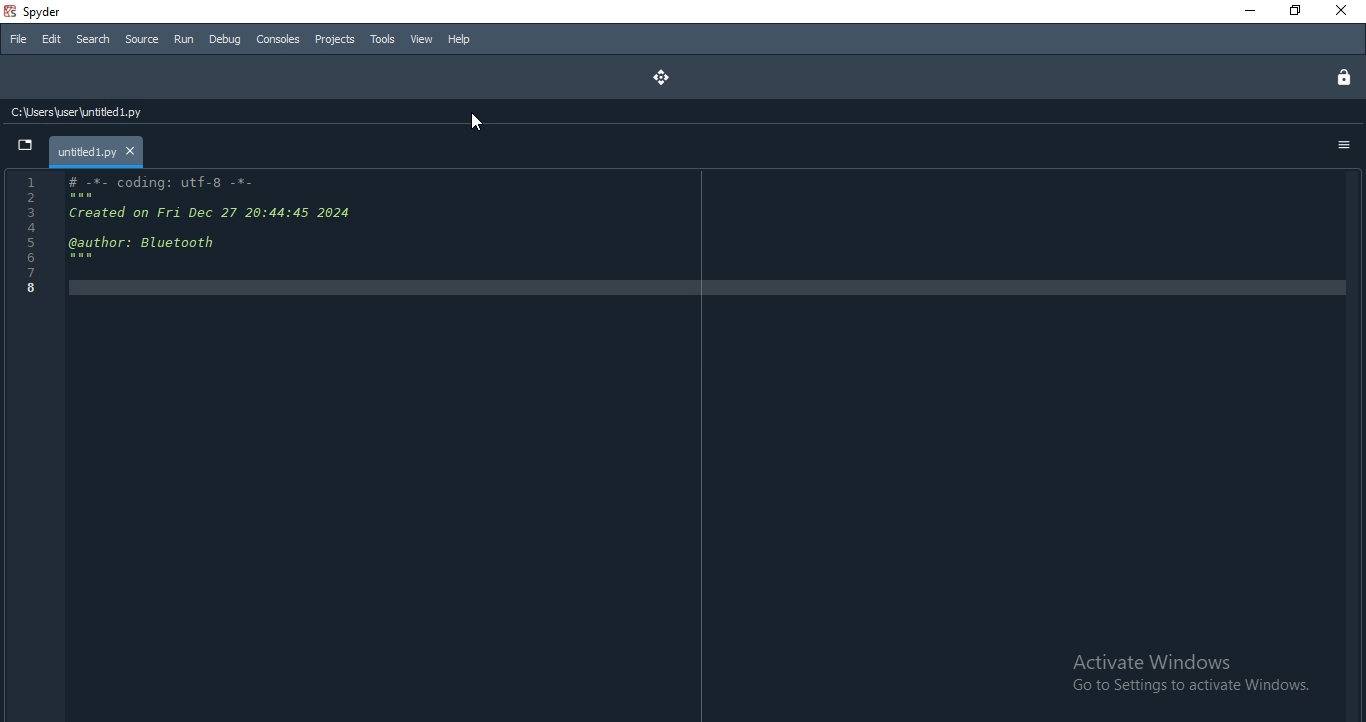  What do you see at coordinates (23, 146) in the screenshot?
I see `dropdown` at bounding box center [23, 146].